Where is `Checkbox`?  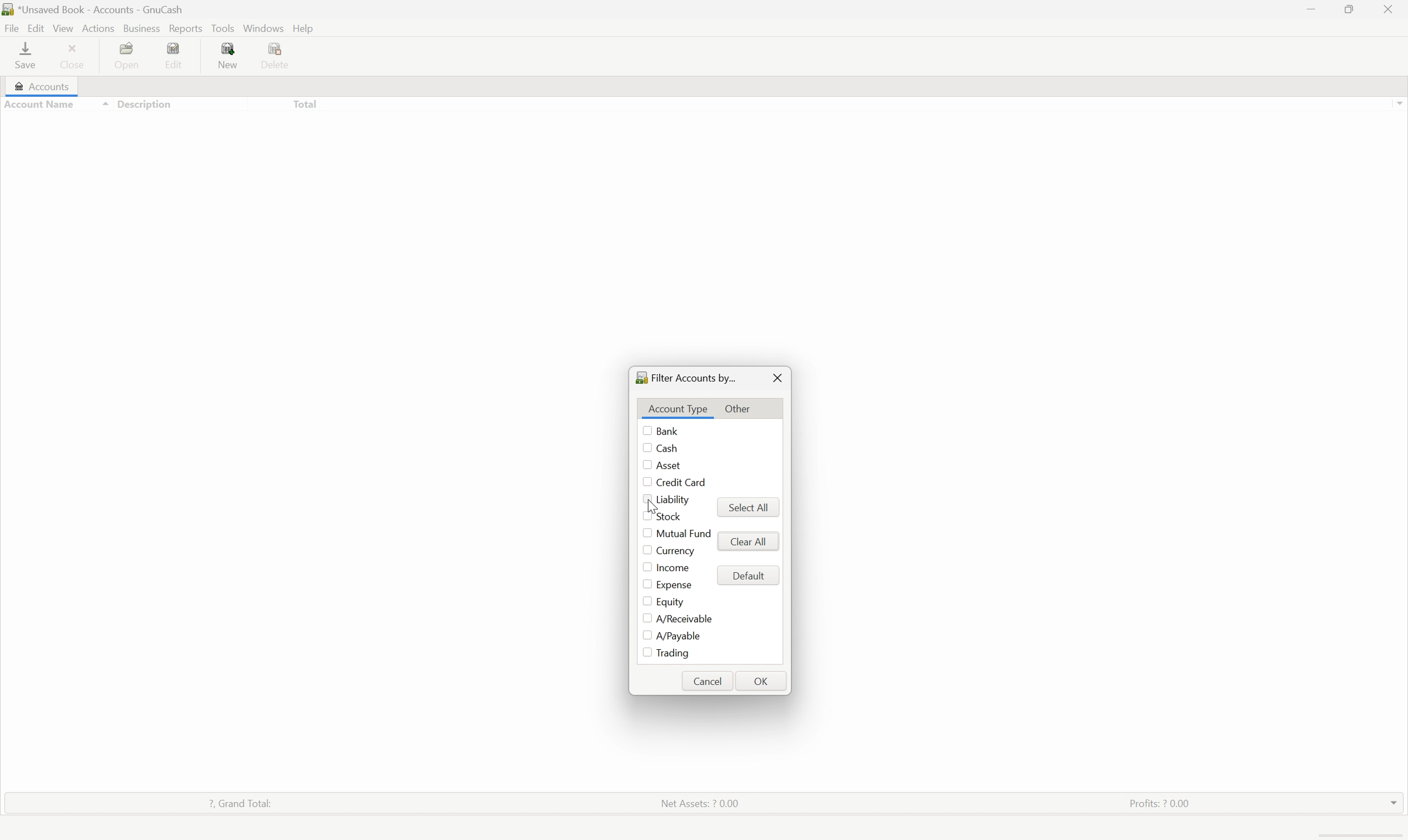 Checkbox is located at coordinates (645, 516).